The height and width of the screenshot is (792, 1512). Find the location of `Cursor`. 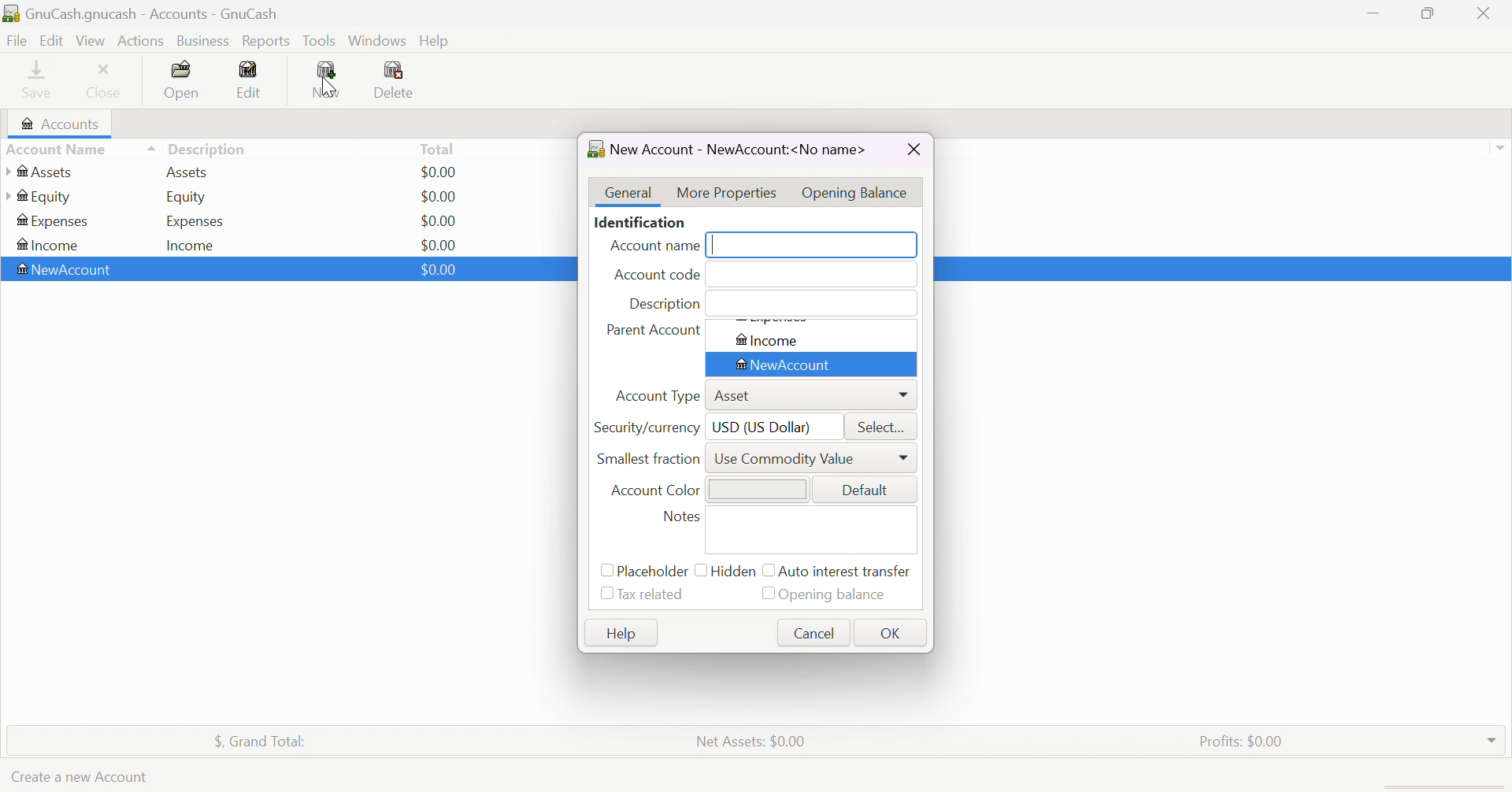

Cursor is located at coordinates (329, 86).